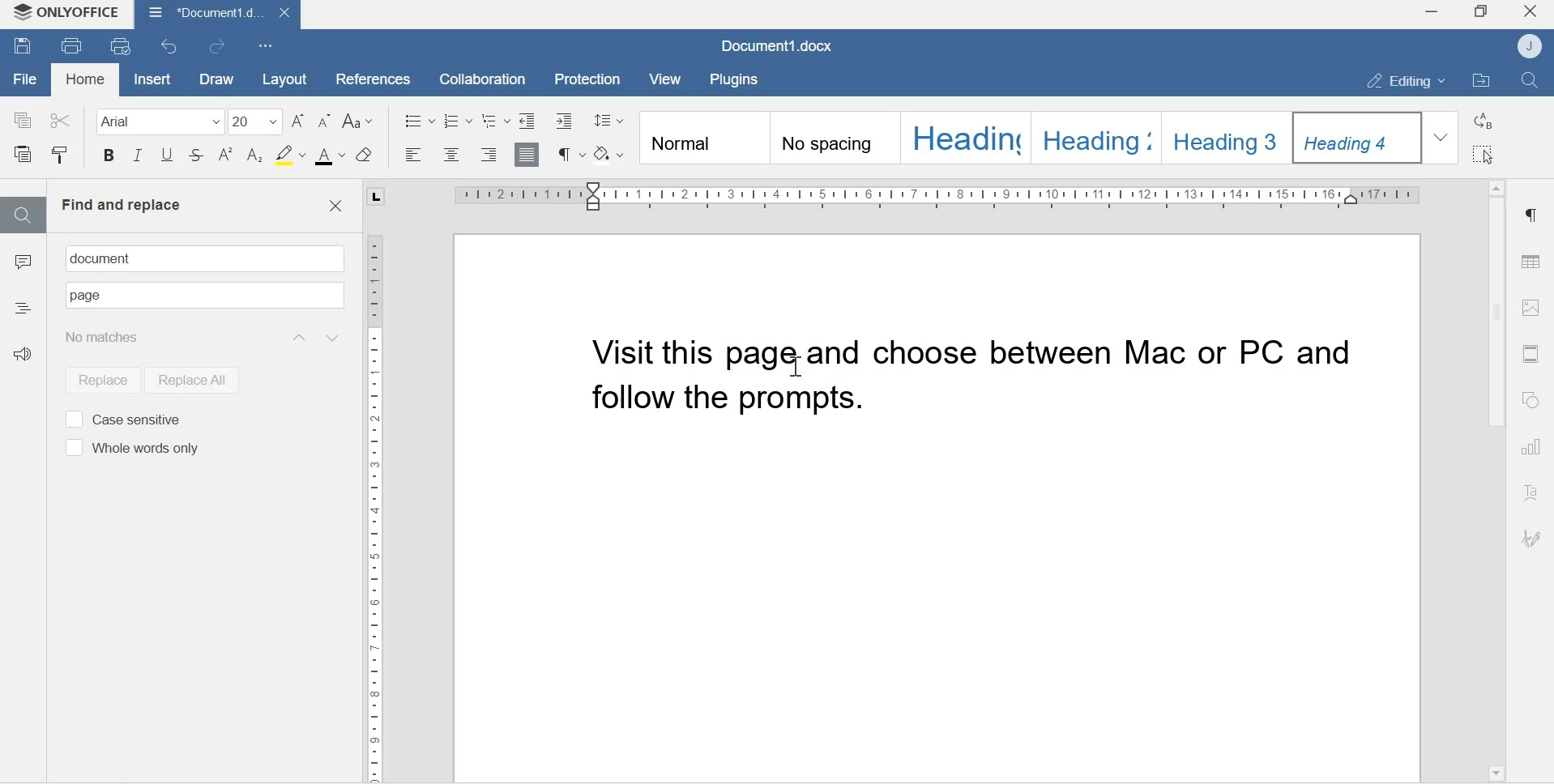 The height and width of the screenshot is (784, 1554). I want to click on Decrement font sizw, so click(325, 121).